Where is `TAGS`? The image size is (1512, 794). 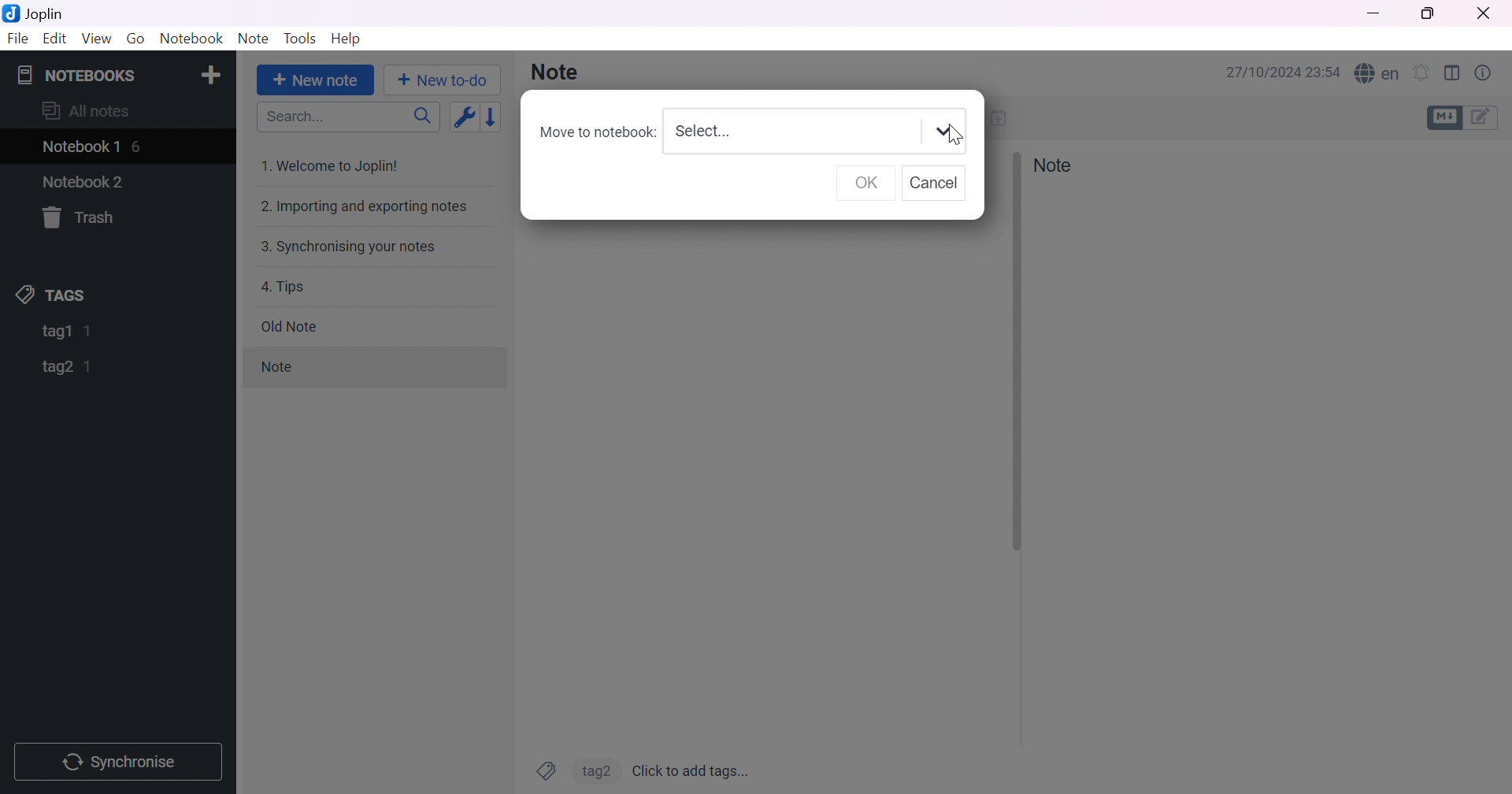 TAGS is located at coordinates (54, 295).